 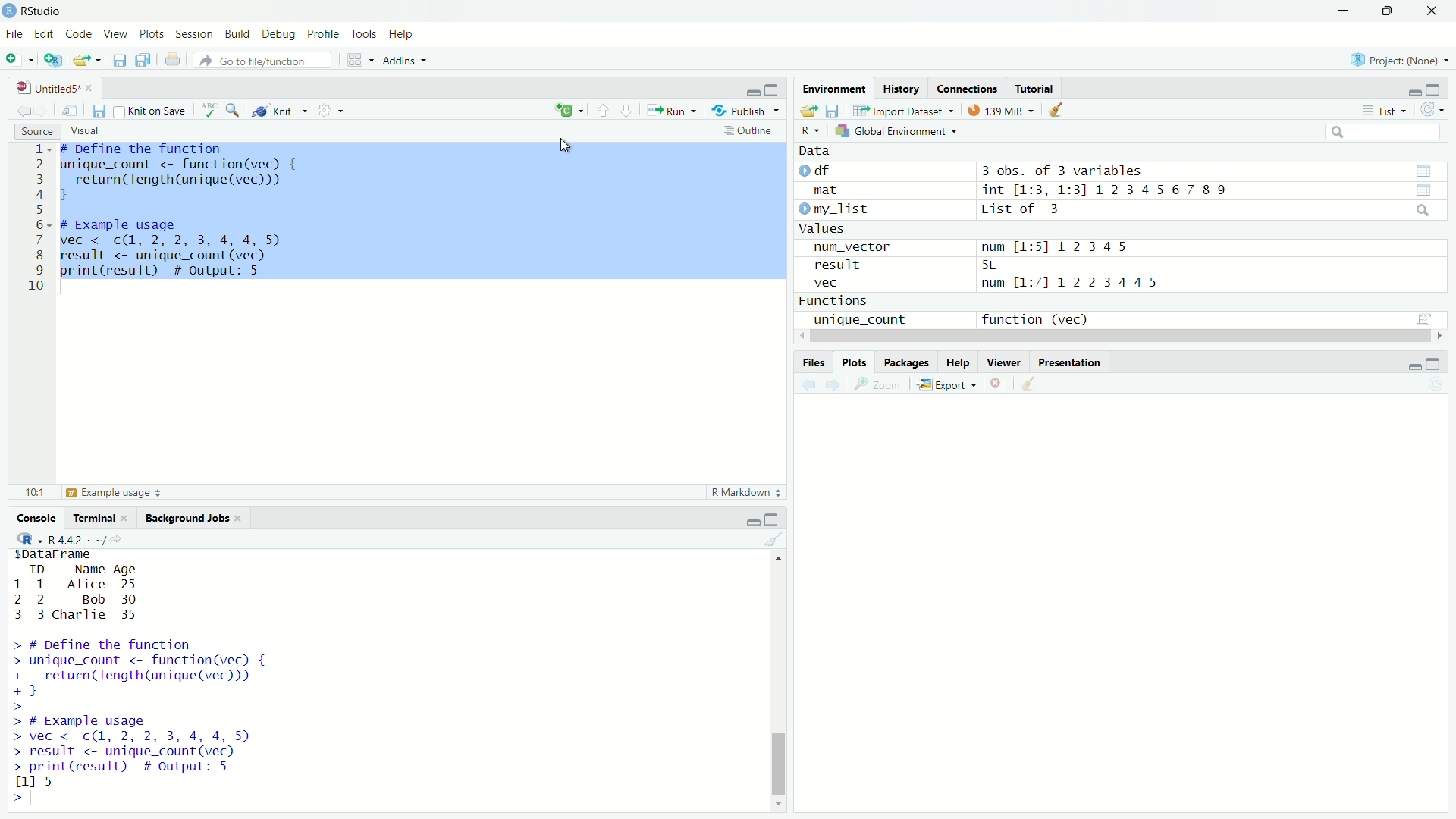 What do you see at coordinates (366, 33) in the screenshot?
I see `Tools` at bounding box center [366, 33].